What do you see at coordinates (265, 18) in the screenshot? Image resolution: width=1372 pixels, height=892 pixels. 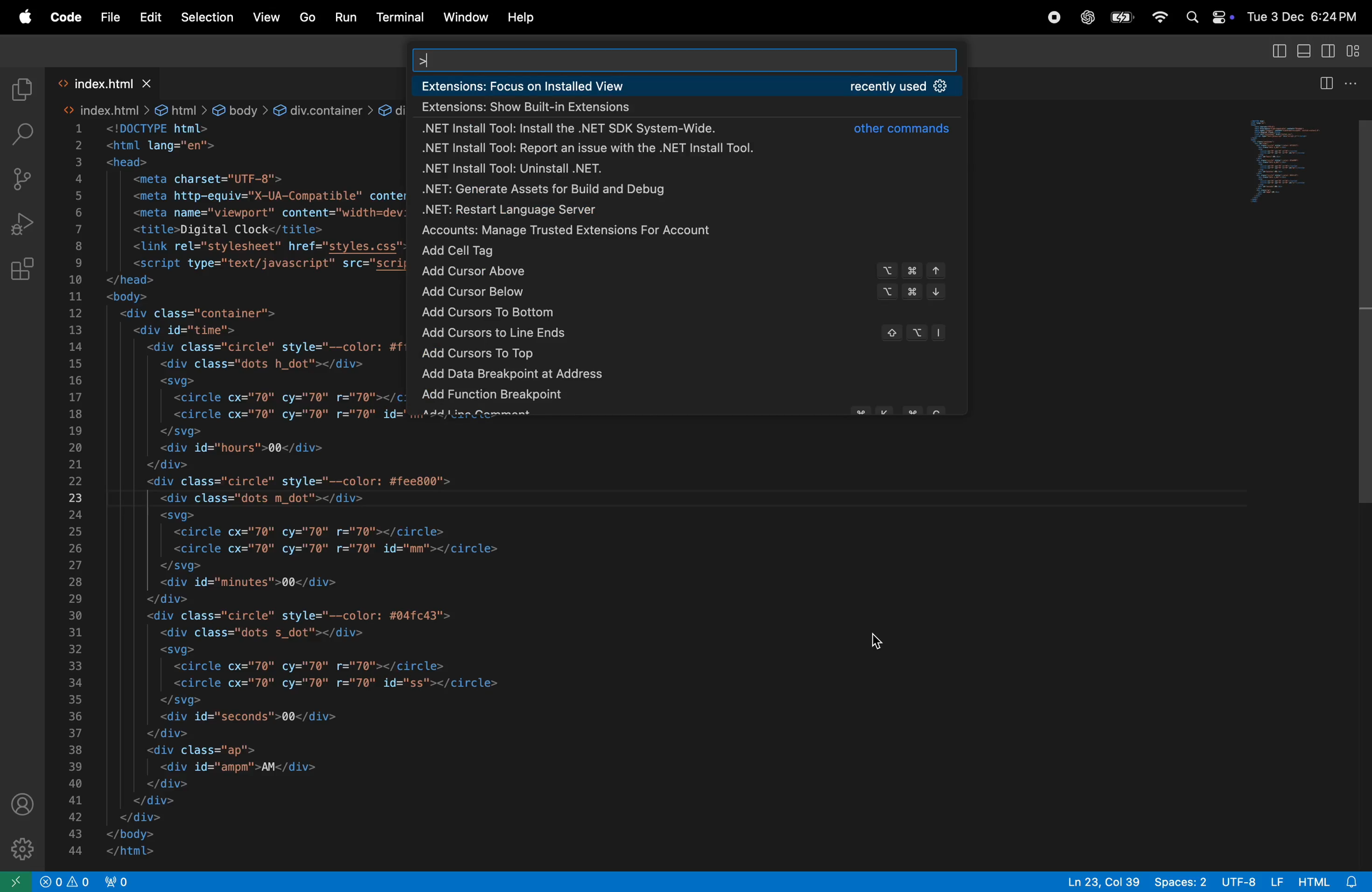 I see `View` at bounding box center [265, 18].